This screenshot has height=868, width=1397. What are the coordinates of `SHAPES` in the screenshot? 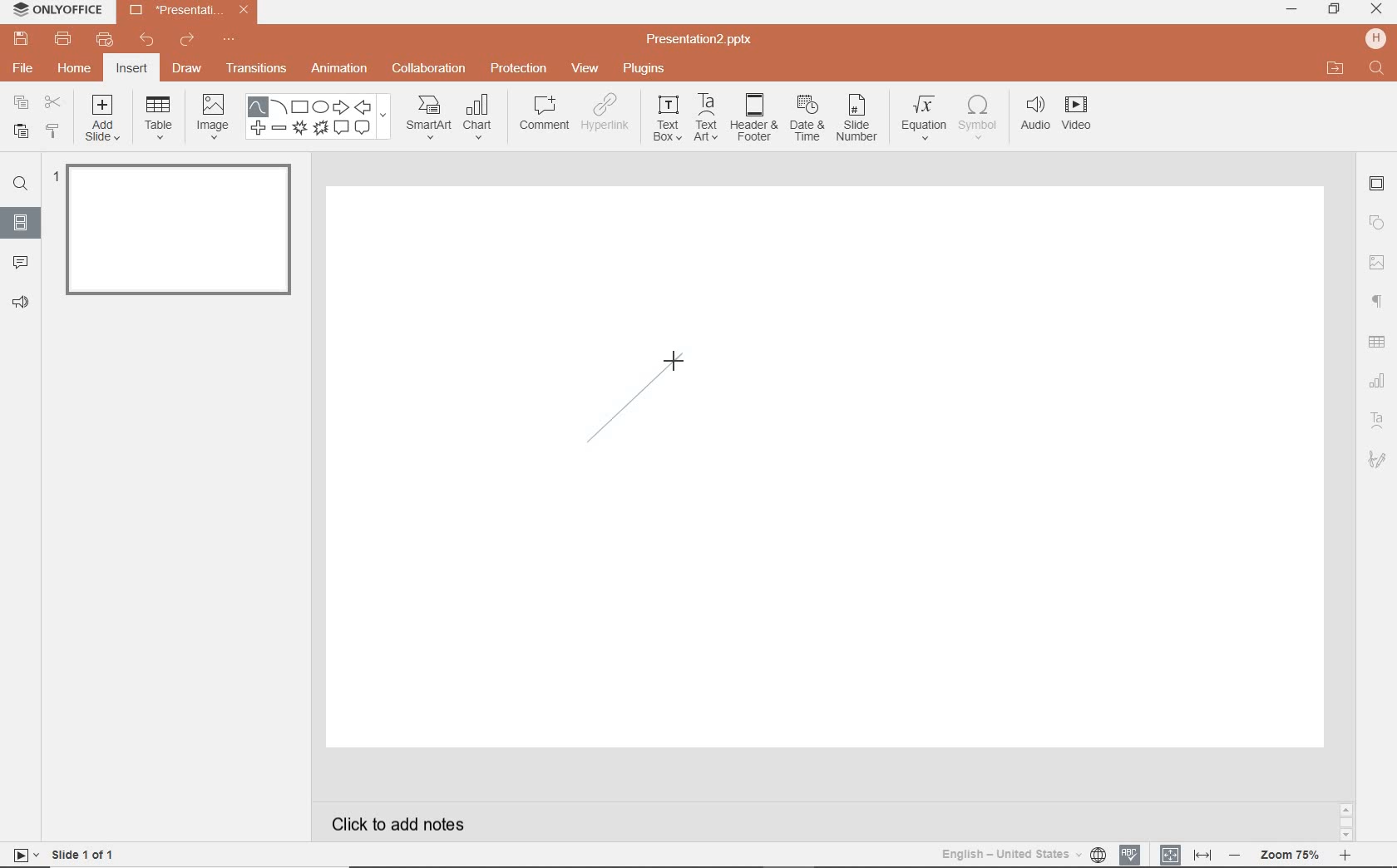 It's located at (321, 118).